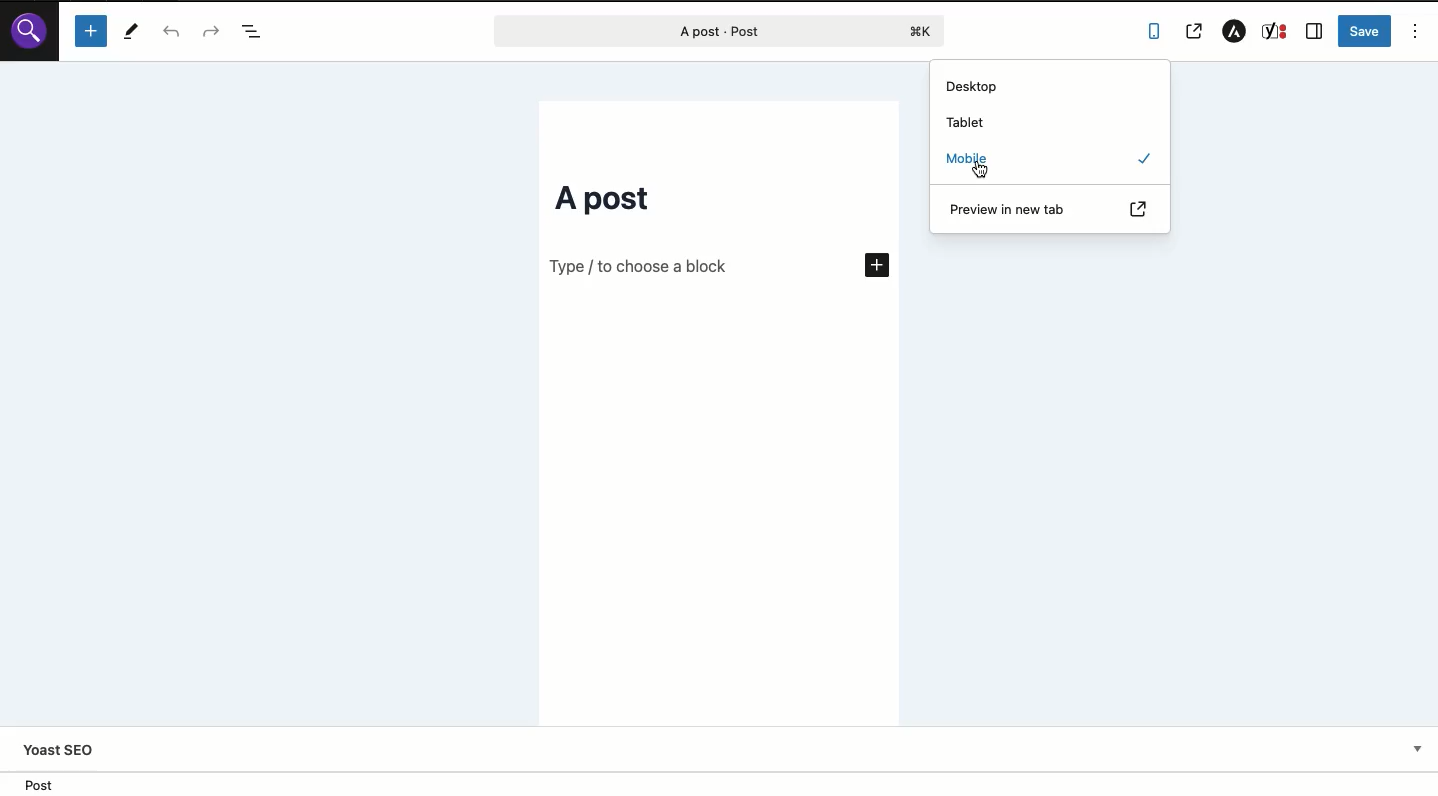 This screenshot has height=796, width=1438. What do you see at coordinates (1051, 87) in the screenshot?
I see `Desktop` at bounding box center [1051, 87].